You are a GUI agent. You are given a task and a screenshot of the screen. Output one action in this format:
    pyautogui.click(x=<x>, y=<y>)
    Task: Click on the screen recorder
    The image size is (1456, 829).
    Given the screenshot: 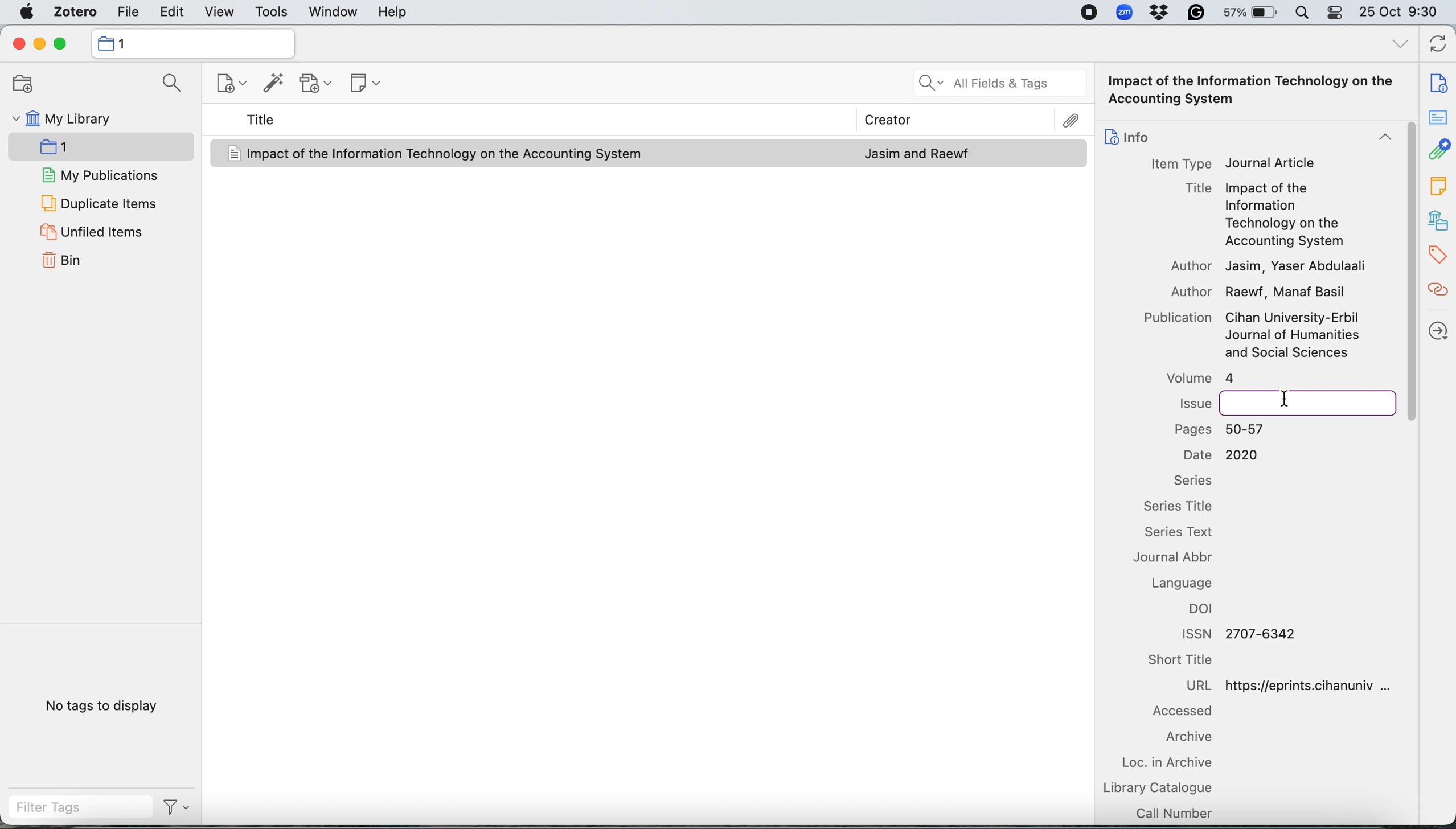 What is the action you would take?
    pyautogui.click(x=1089, y=12)
    